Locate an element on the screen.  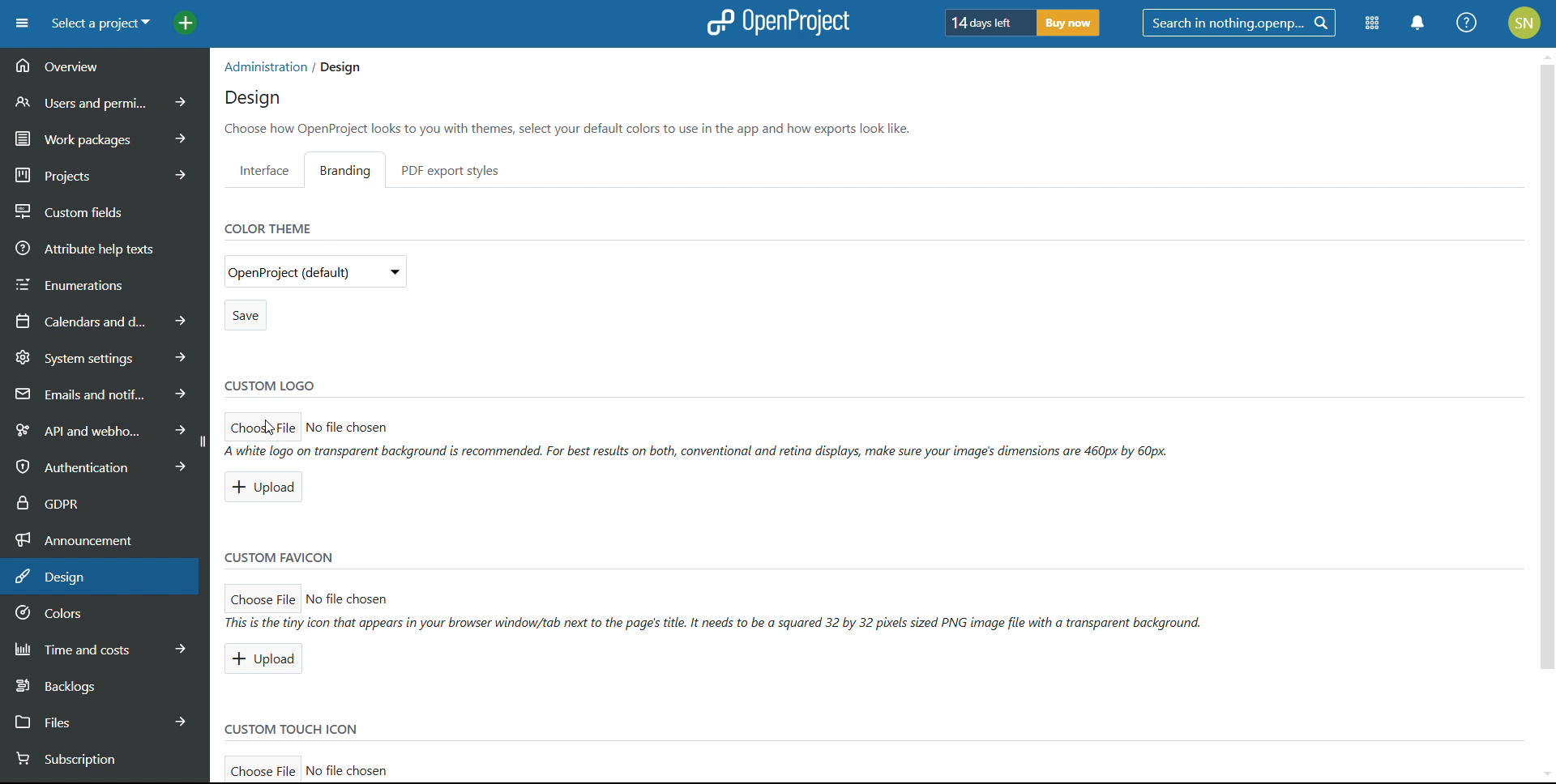
Choose how OpenProject looks to you with themes, select your default colors to use in the app and how exports look like. is located at coordinates (572, 128).